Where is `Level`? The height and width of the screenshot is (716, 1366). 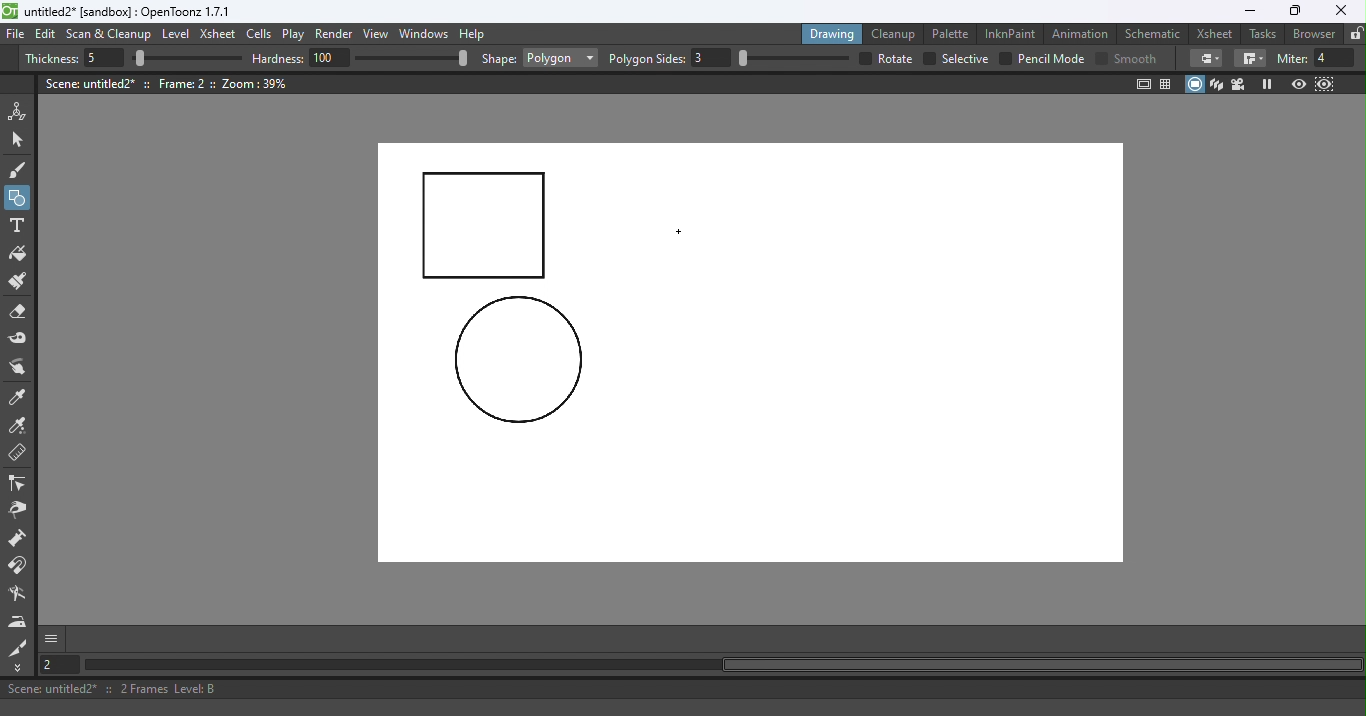 Level is located at coordinates (176, 35).